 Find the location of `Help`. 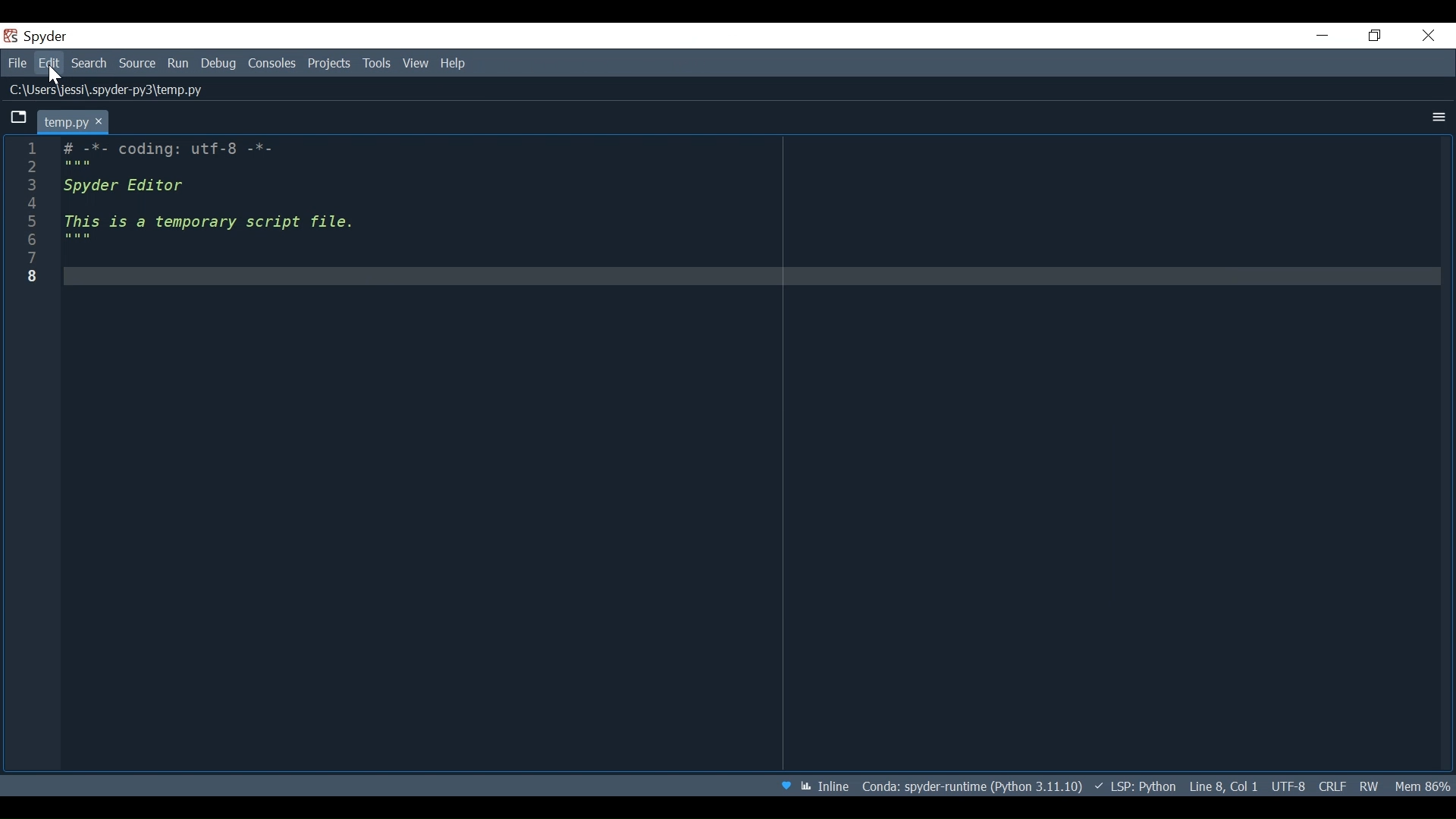

Help is located at coordinates (453, 65).